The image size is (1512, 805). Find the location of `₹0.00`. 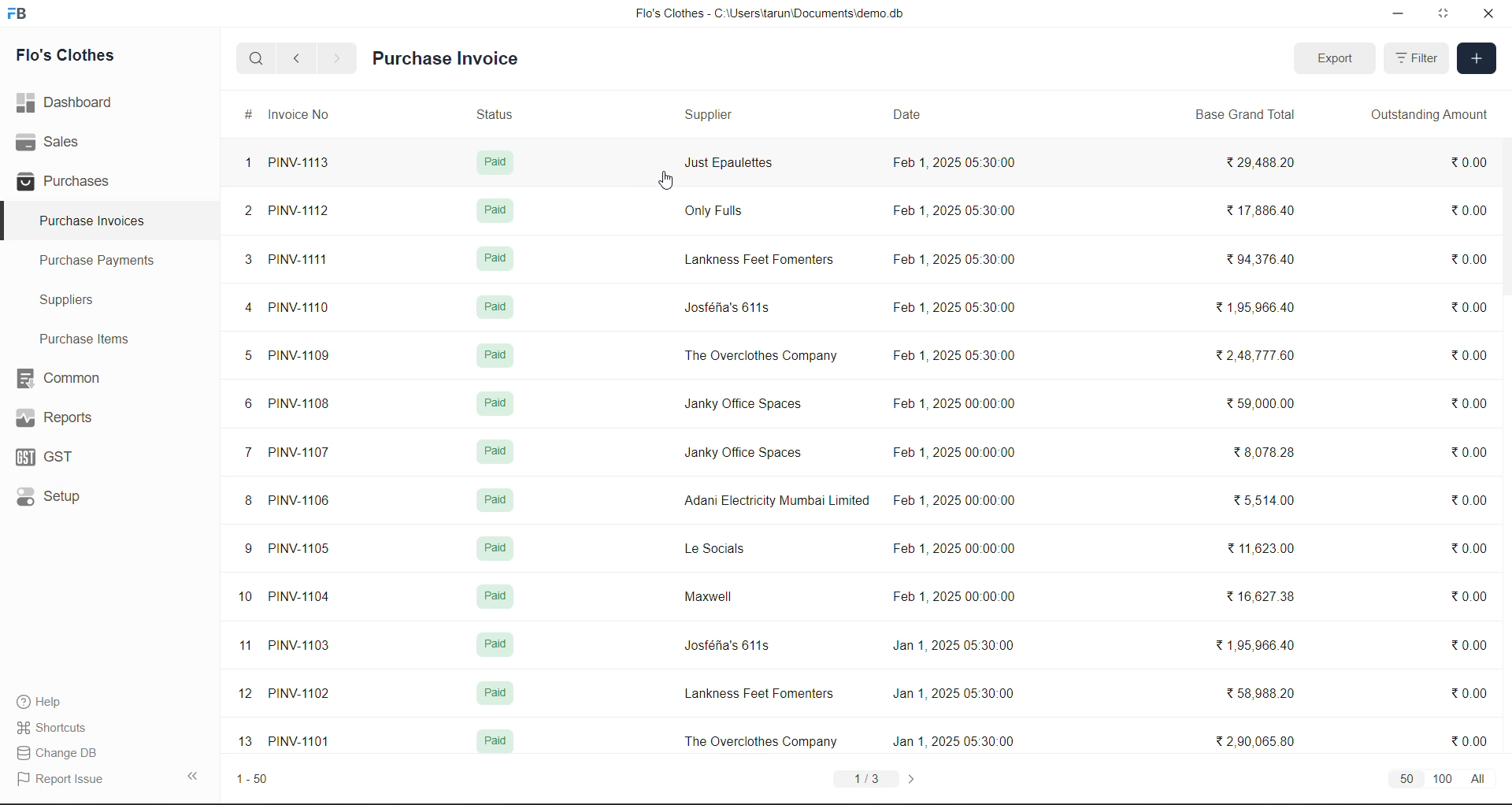

₹0.00 is located at coordinates (1470, 353).